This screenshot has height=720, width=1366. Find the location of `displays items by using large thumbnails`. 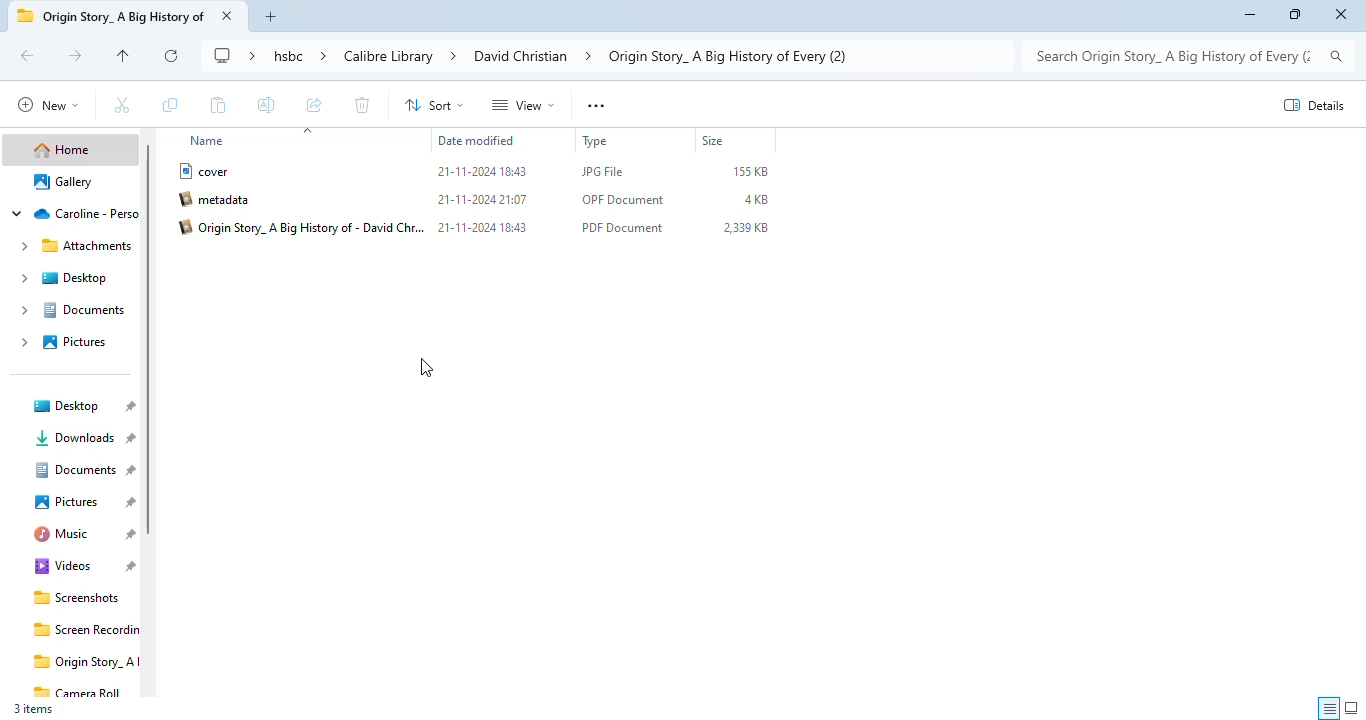

displays items by using large thumbnails is located at coordinates (1351, 708).